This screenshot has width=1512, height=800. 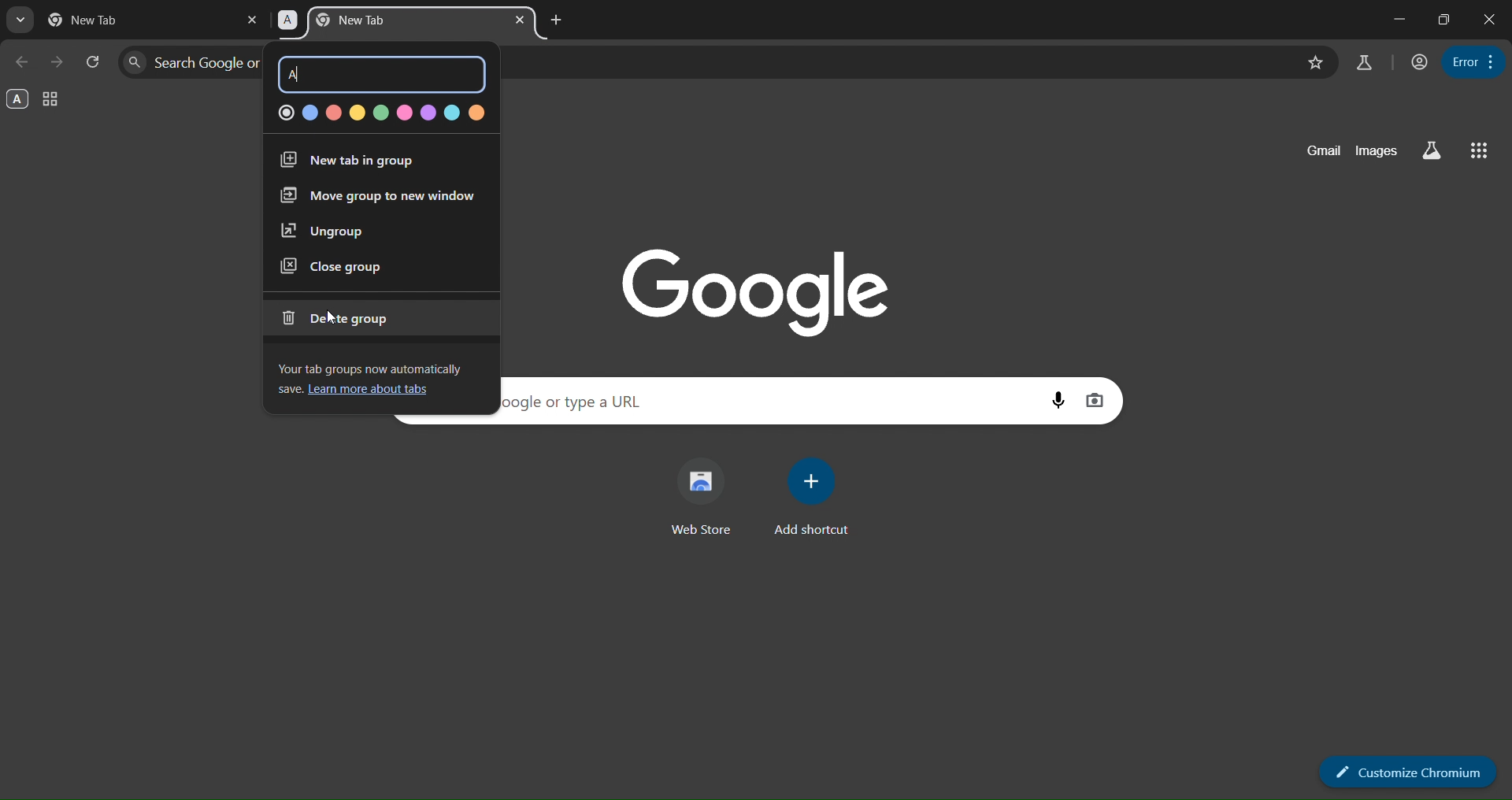 What do you see at coordinates (323, 231) in the screenshot?
I see `ungroup` at bounding box center [323, 231].